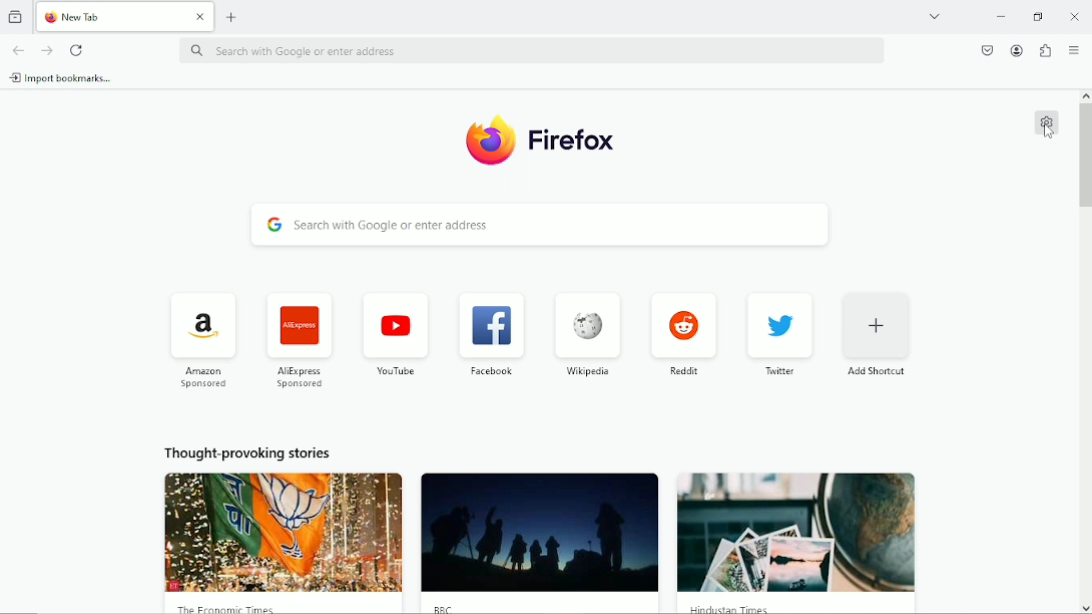  I want to click on Open application menu, so click(1075, 49).